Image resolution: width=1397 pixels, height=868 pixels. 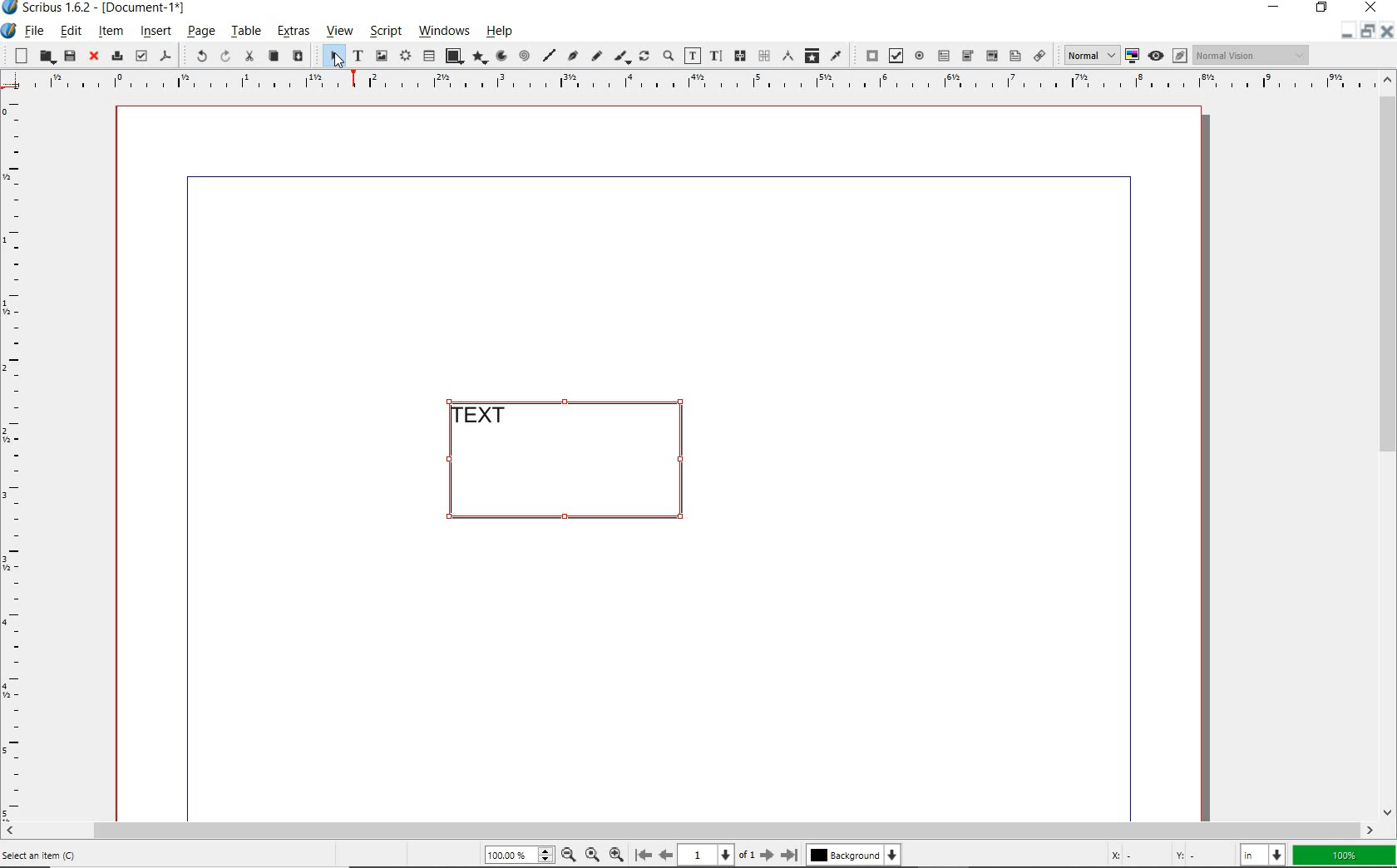 What do you see at coordinates (446, 32) in the screenshot?
I see `windows` at bounding box center [446, 32].